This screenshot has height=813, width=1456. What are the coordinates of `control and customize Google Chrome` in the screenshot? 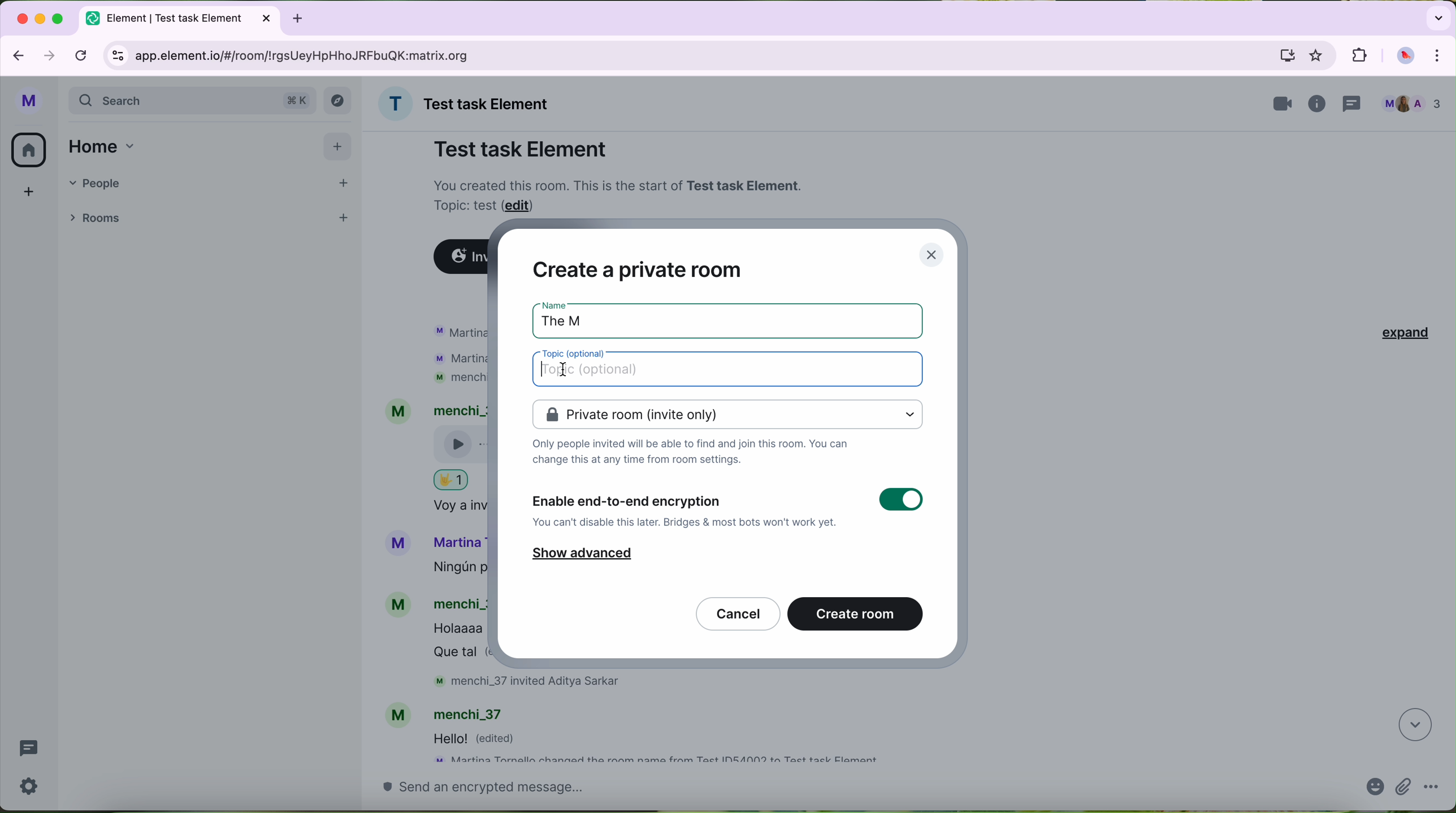 It's located at (1443, 56).